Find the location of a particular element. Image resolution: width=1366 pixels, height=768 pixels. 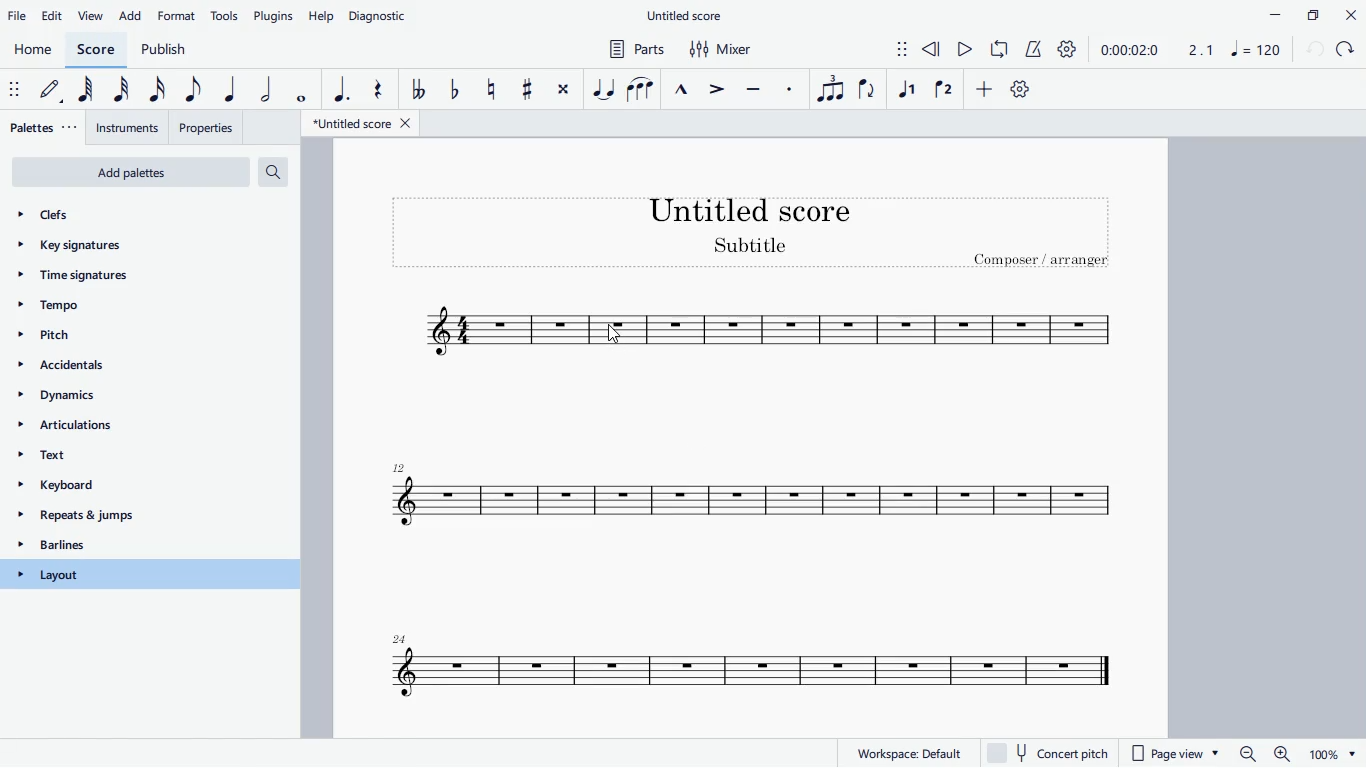

concert pitch is located at coordinates (1054, 753).